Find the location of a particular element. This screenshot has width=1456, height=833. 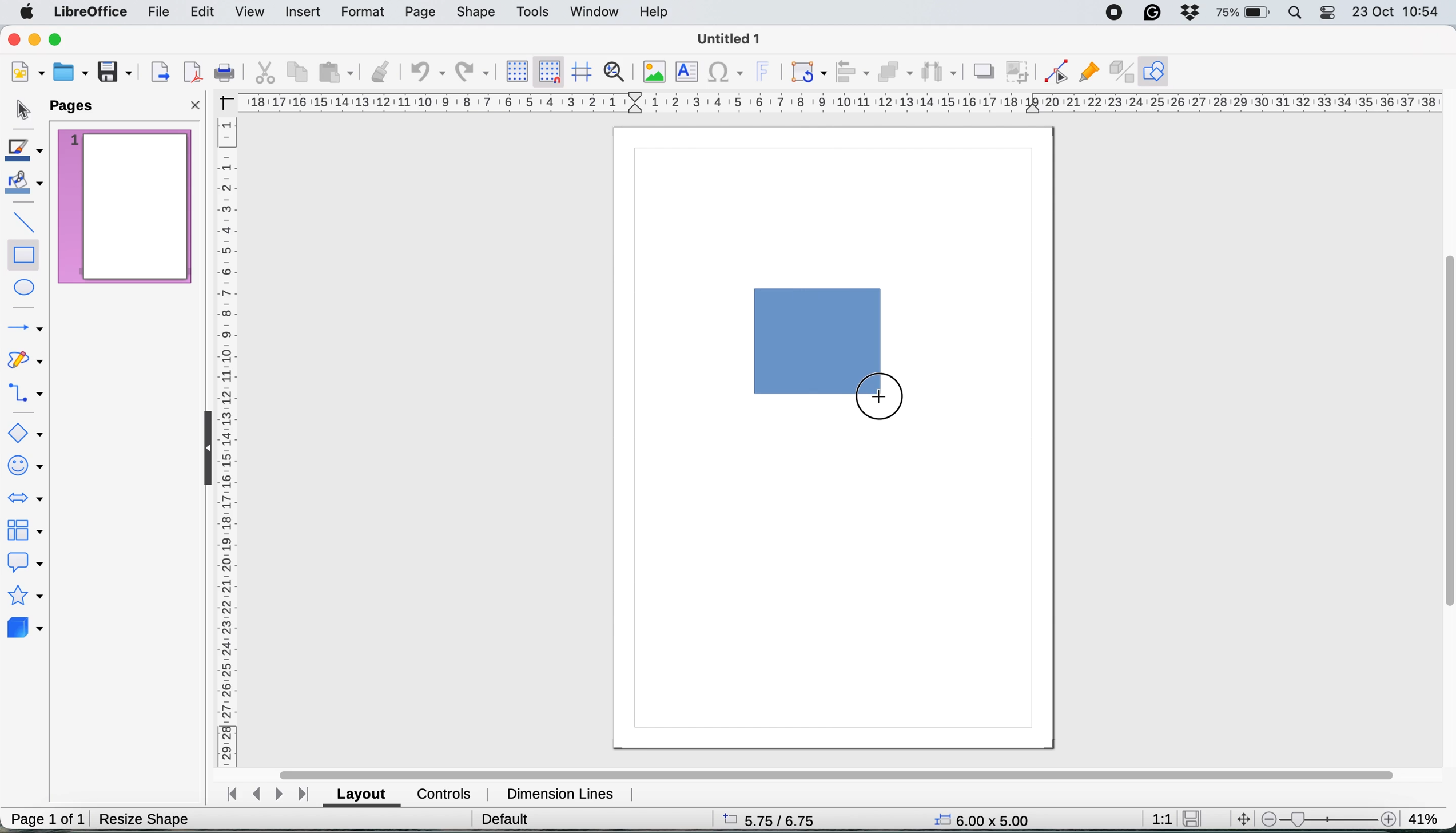

callout shapes is located at coordinates (26, 563).